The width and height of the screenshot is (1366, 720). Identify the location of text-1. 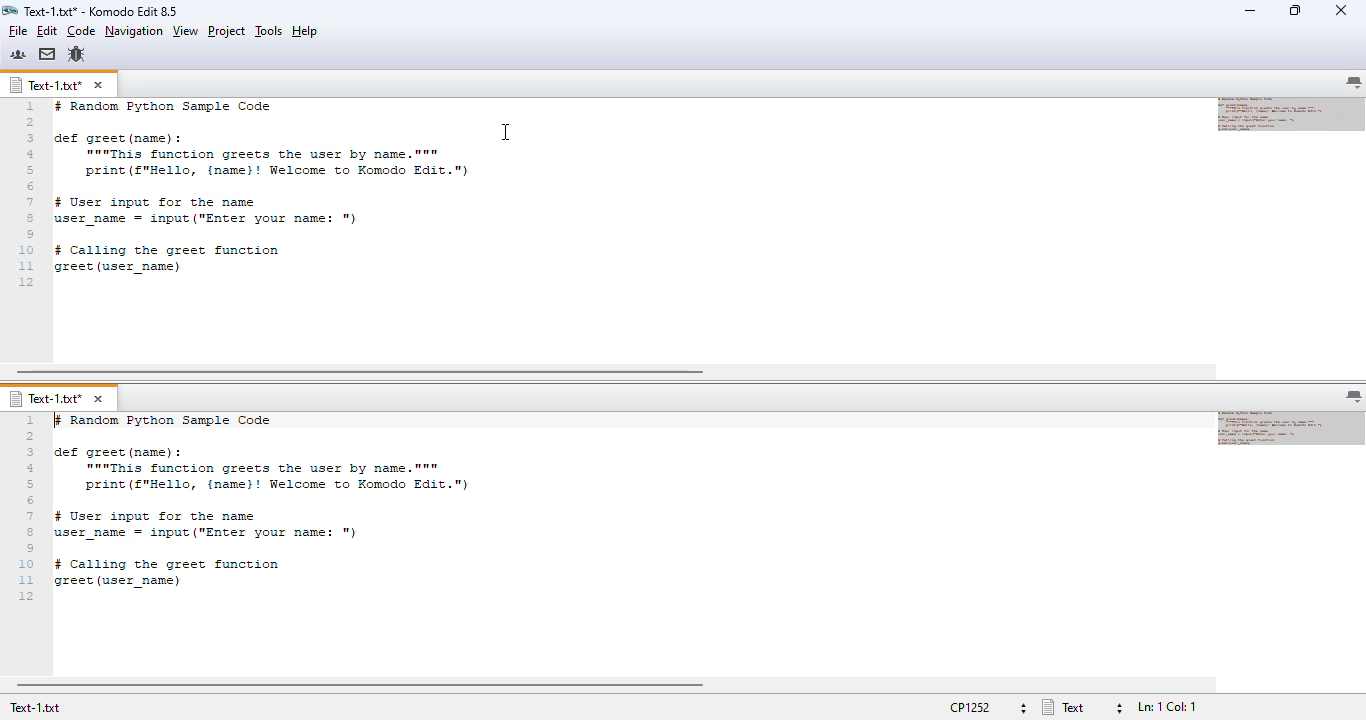
(44, 399).